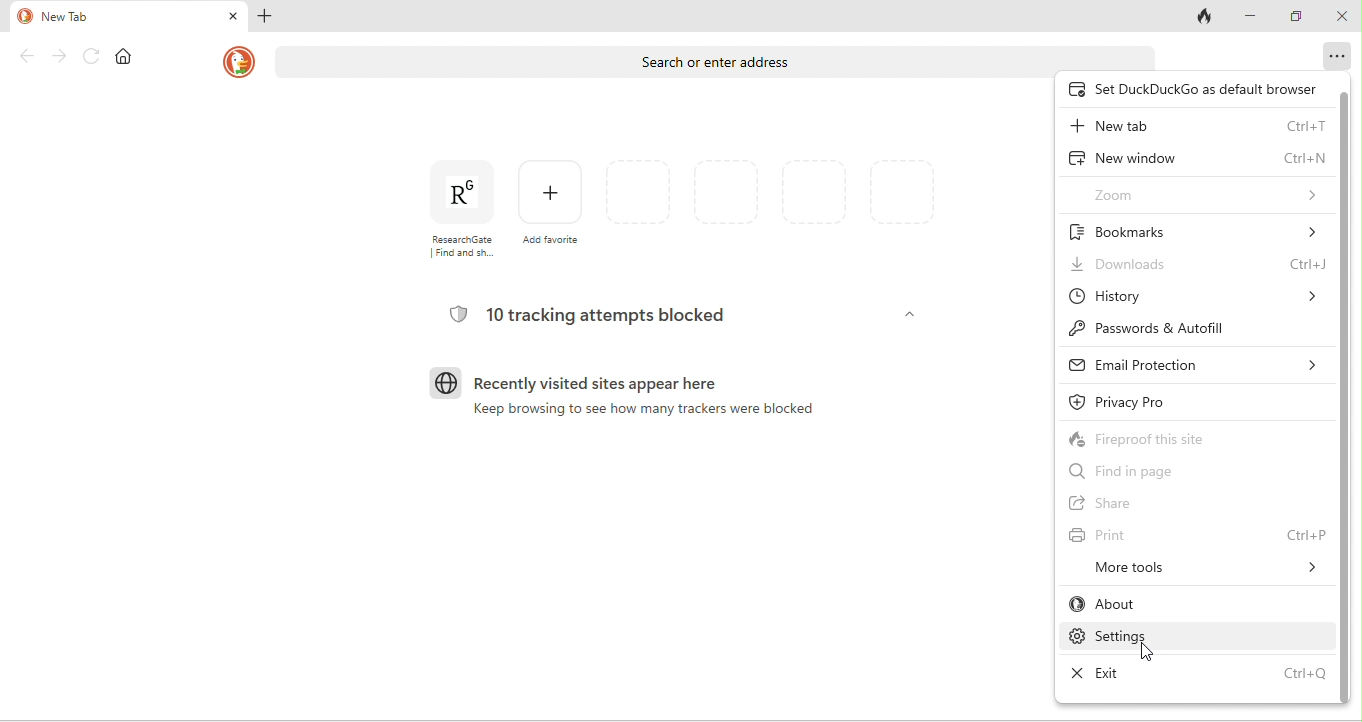  Describe the element at coordinates (1170, 439) in the screenshot. I see `fireproof this site` at that location.